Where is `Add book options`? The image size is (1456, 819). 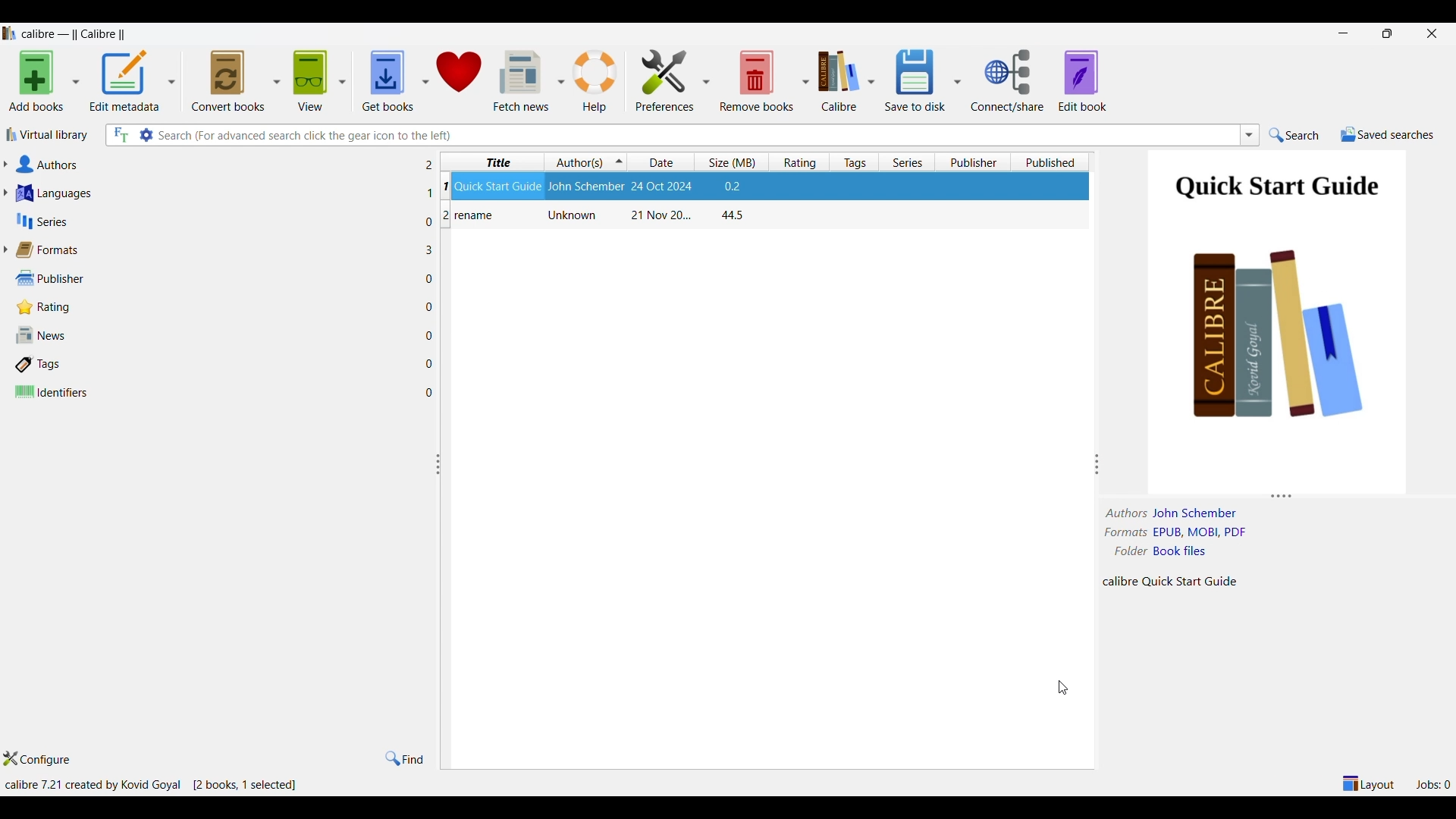 Add book options is located at coordinates (75, 82).